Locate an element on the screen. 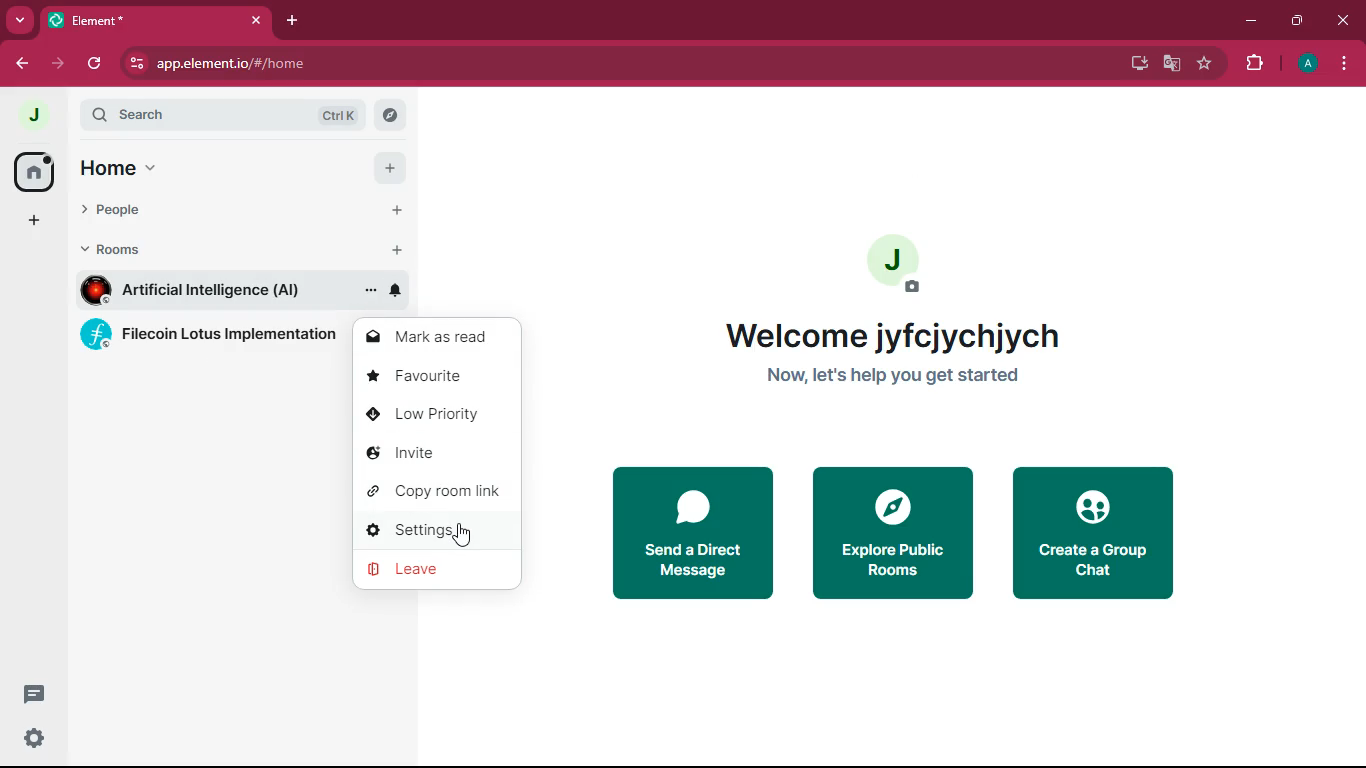 The width and height of the screenshot is (1366, 768). add people is located at coordinates (396, 210).